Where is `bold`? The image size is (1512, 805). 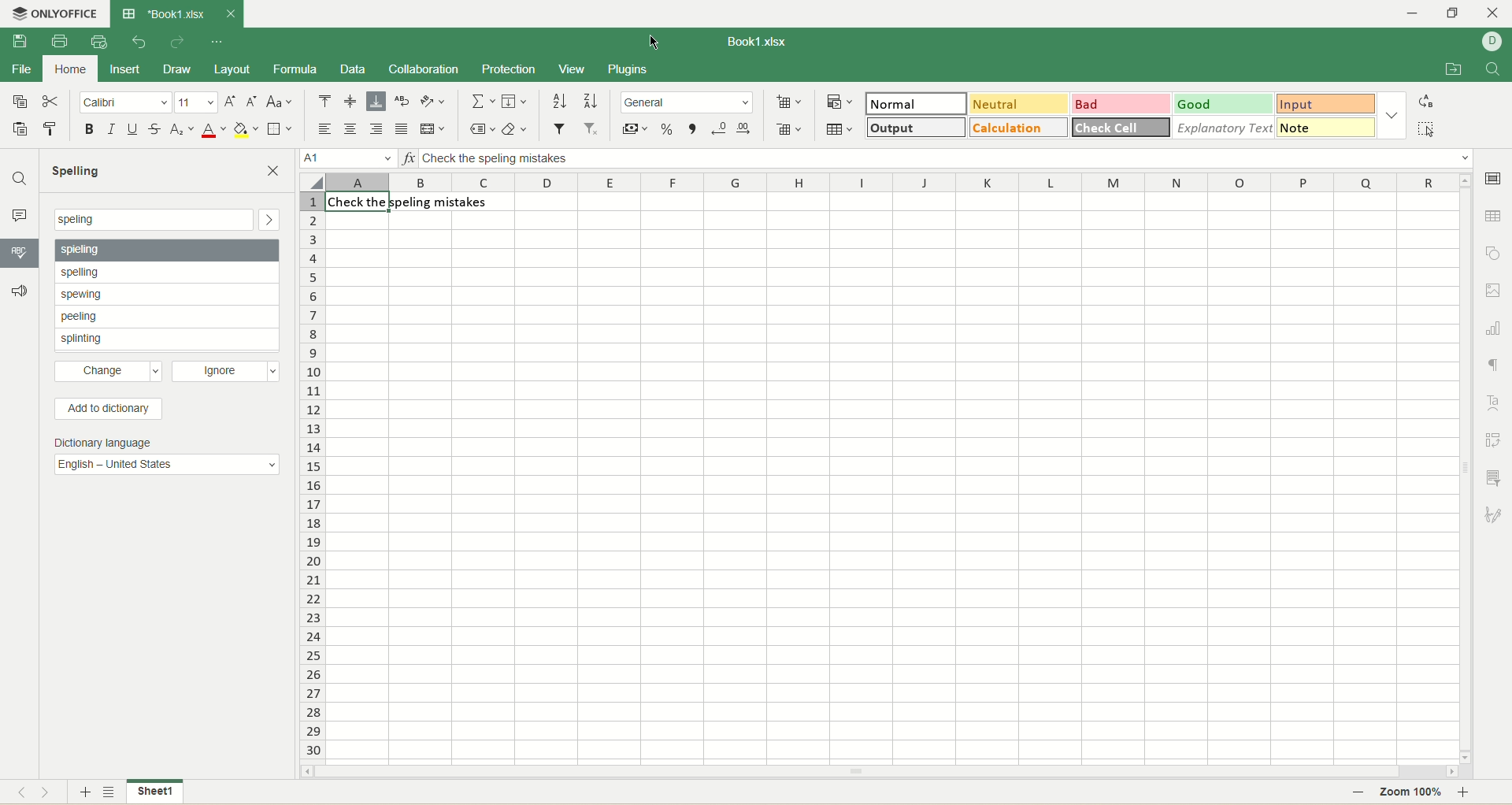 bold is located at coordinates (87, 131).